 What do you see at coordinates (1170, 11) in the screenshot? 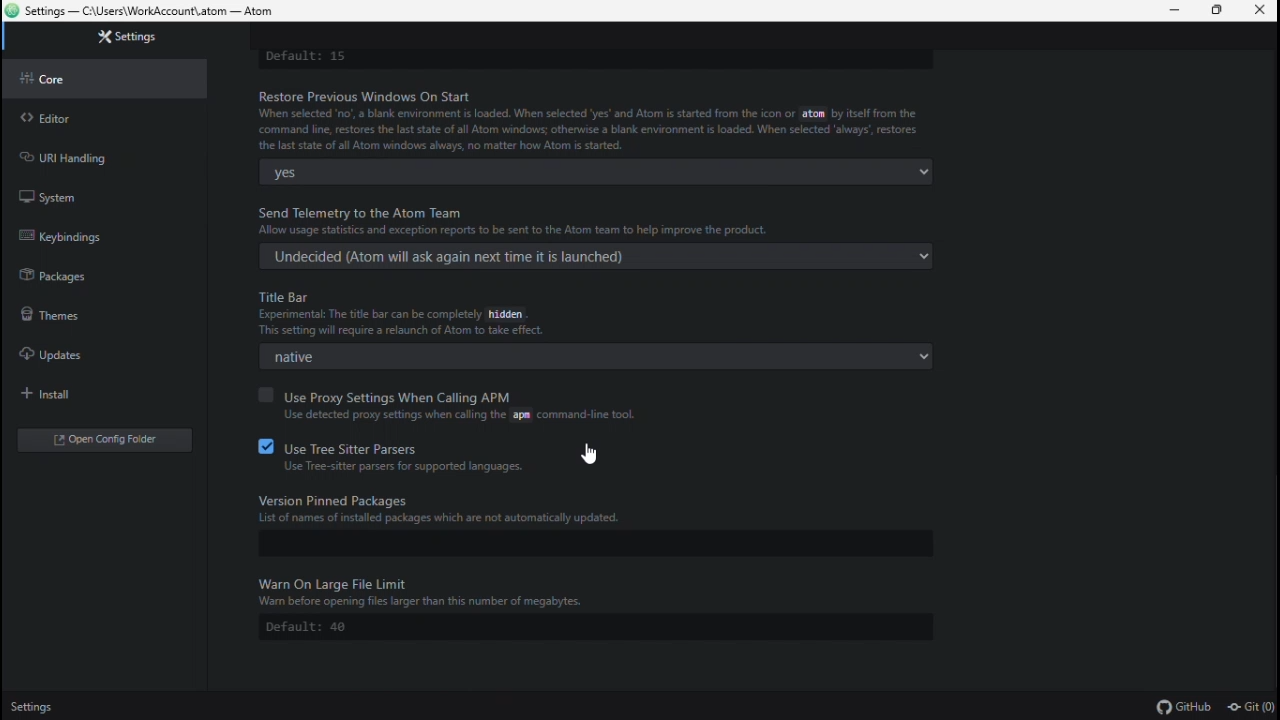
I see `Minimise` at bounding box center [1170, 11].